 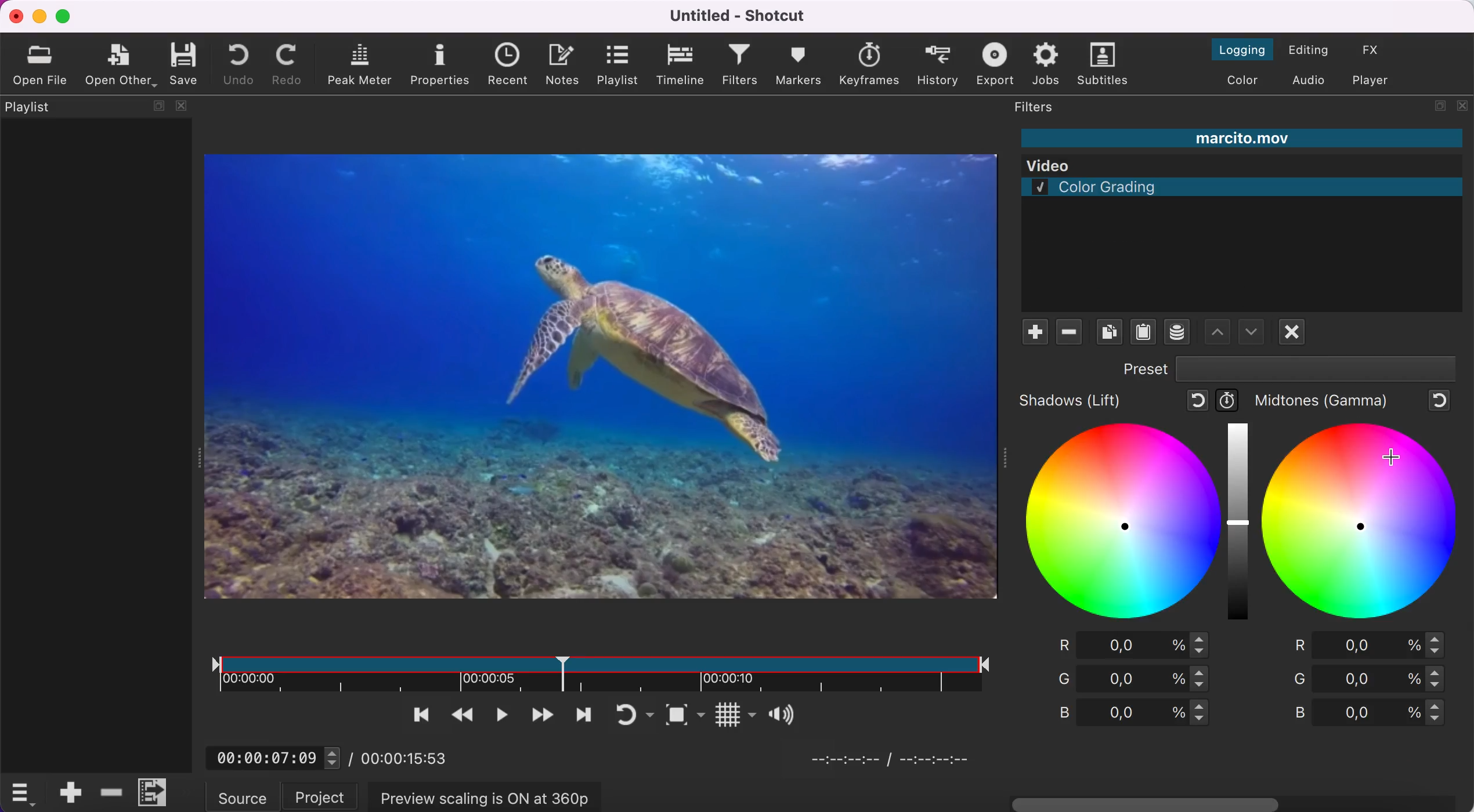 I want to click on , so click(x=718, y=713).